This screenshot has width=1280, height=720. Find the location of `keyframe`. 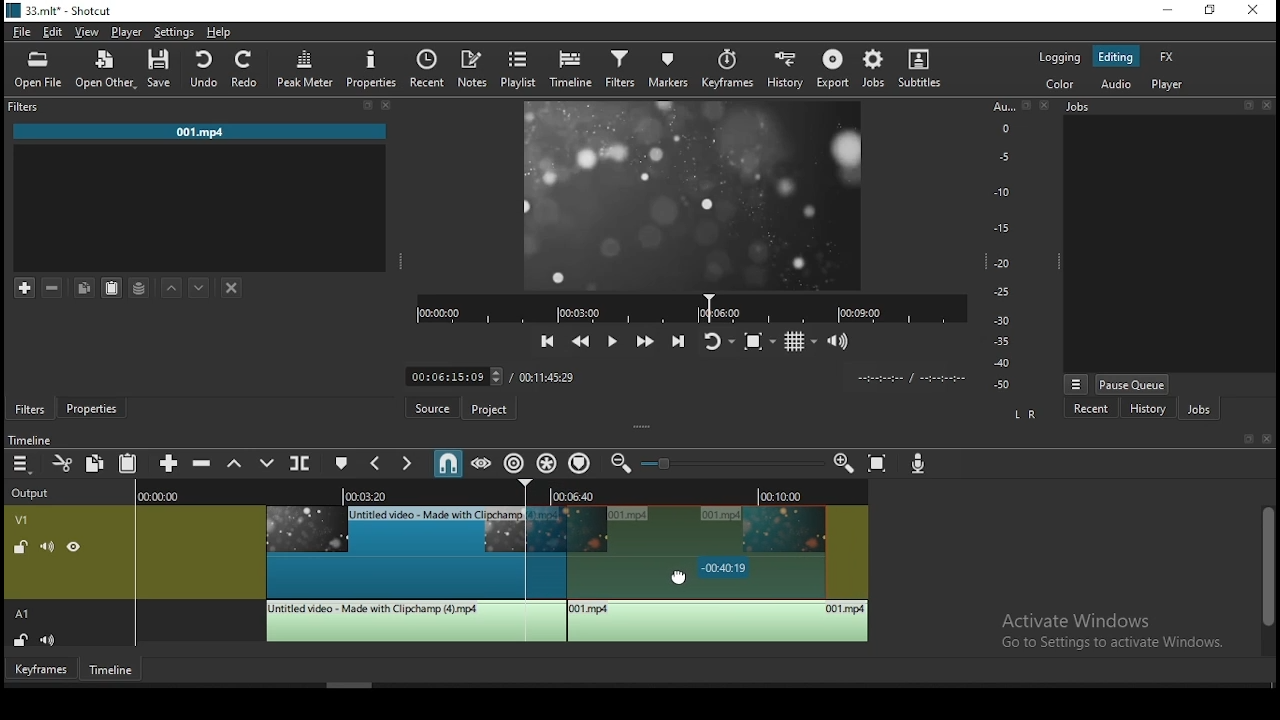

keyframe is located at coordinates (39, 671).